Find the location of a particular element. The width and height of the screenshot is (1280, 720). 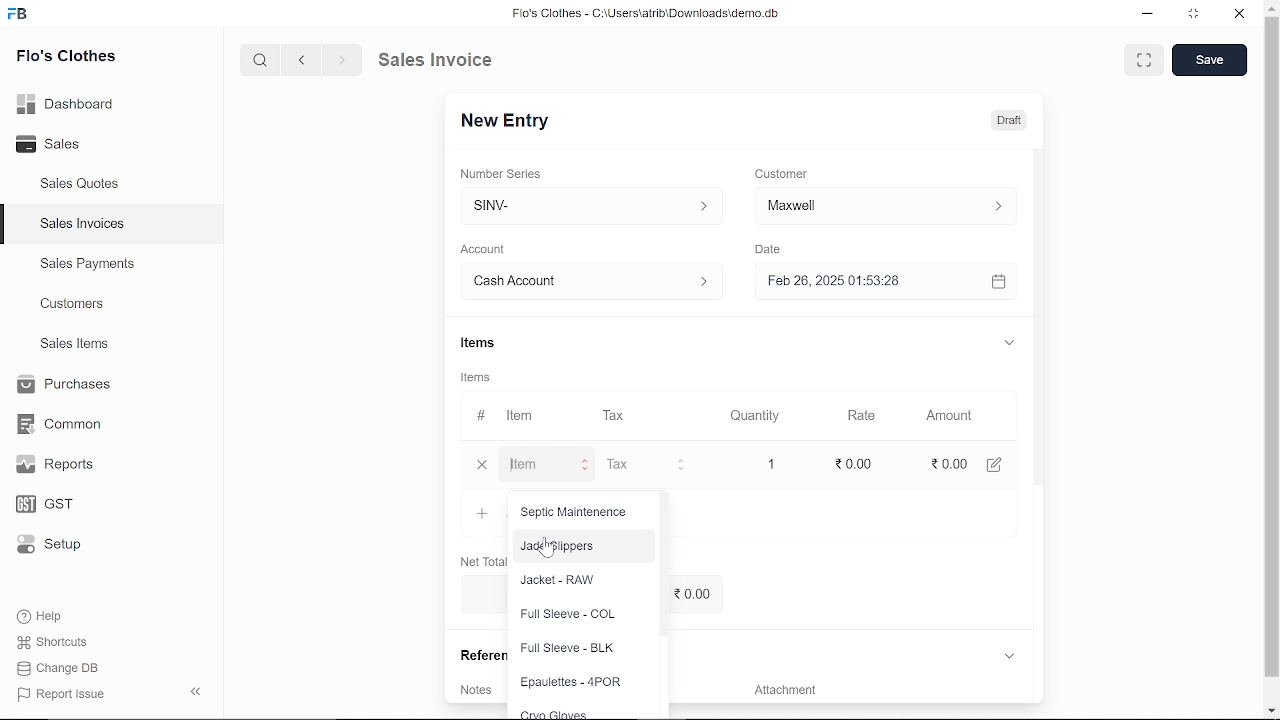

Rate is located at coordinates (863, 416).